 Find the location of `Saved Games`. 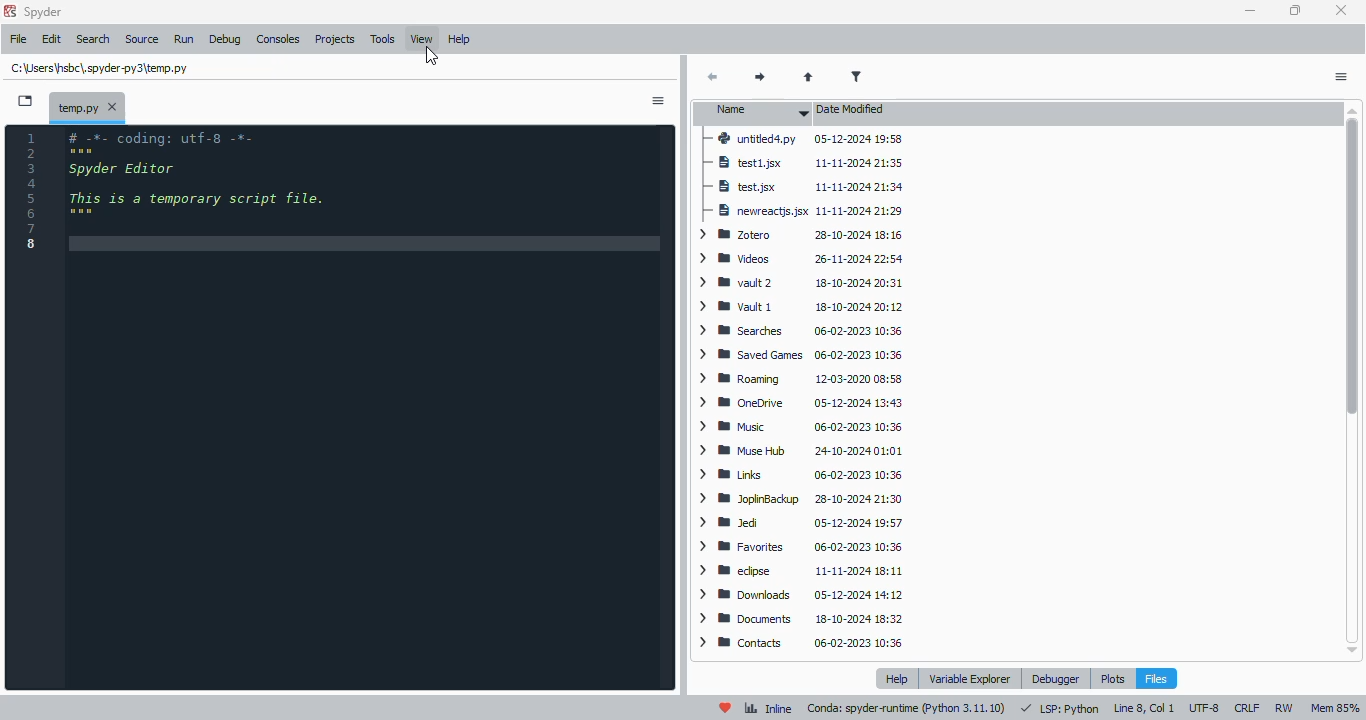

Saved Games is located at coordinates (802, 354).